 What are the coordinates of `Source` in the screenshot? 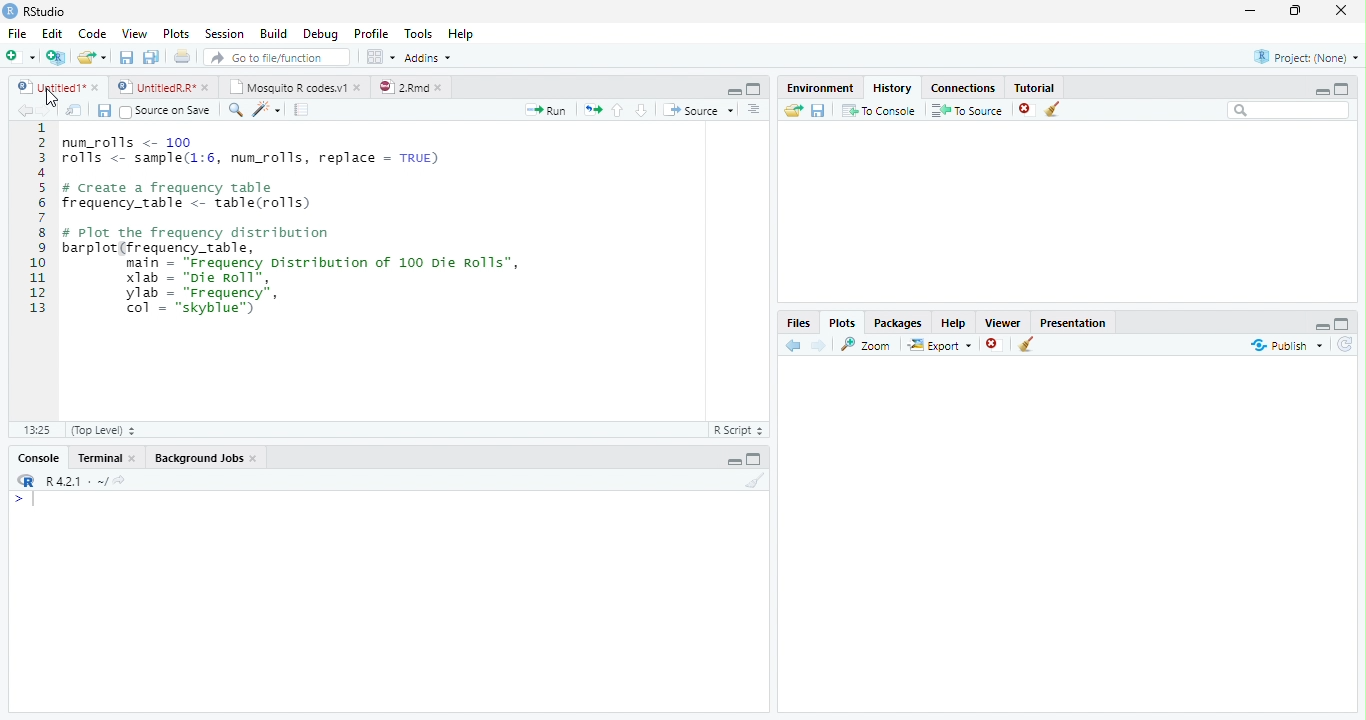 It's located at (698, 111).